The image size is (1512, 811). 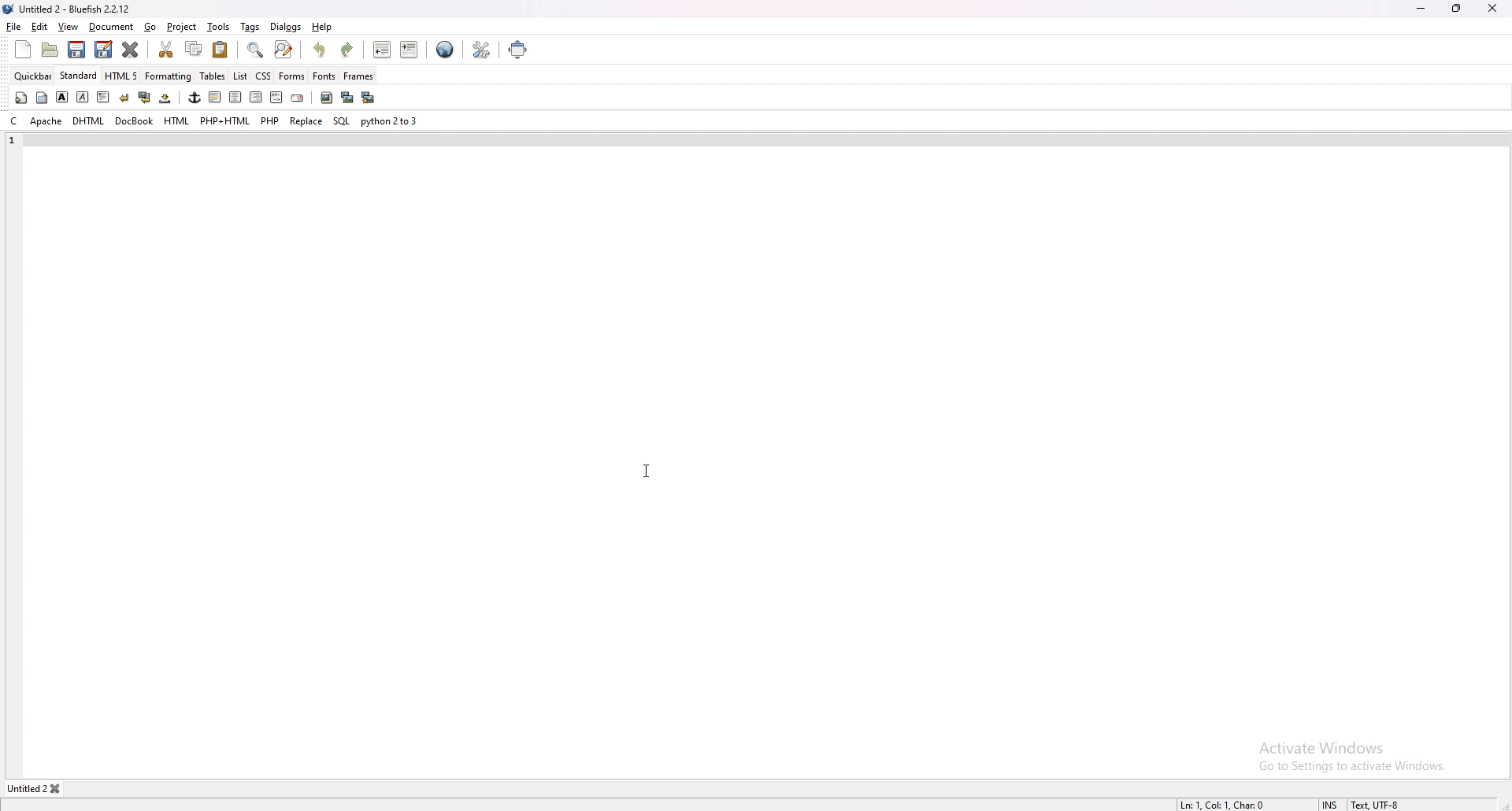 I want to click on paste, so click(x=220, y=50).